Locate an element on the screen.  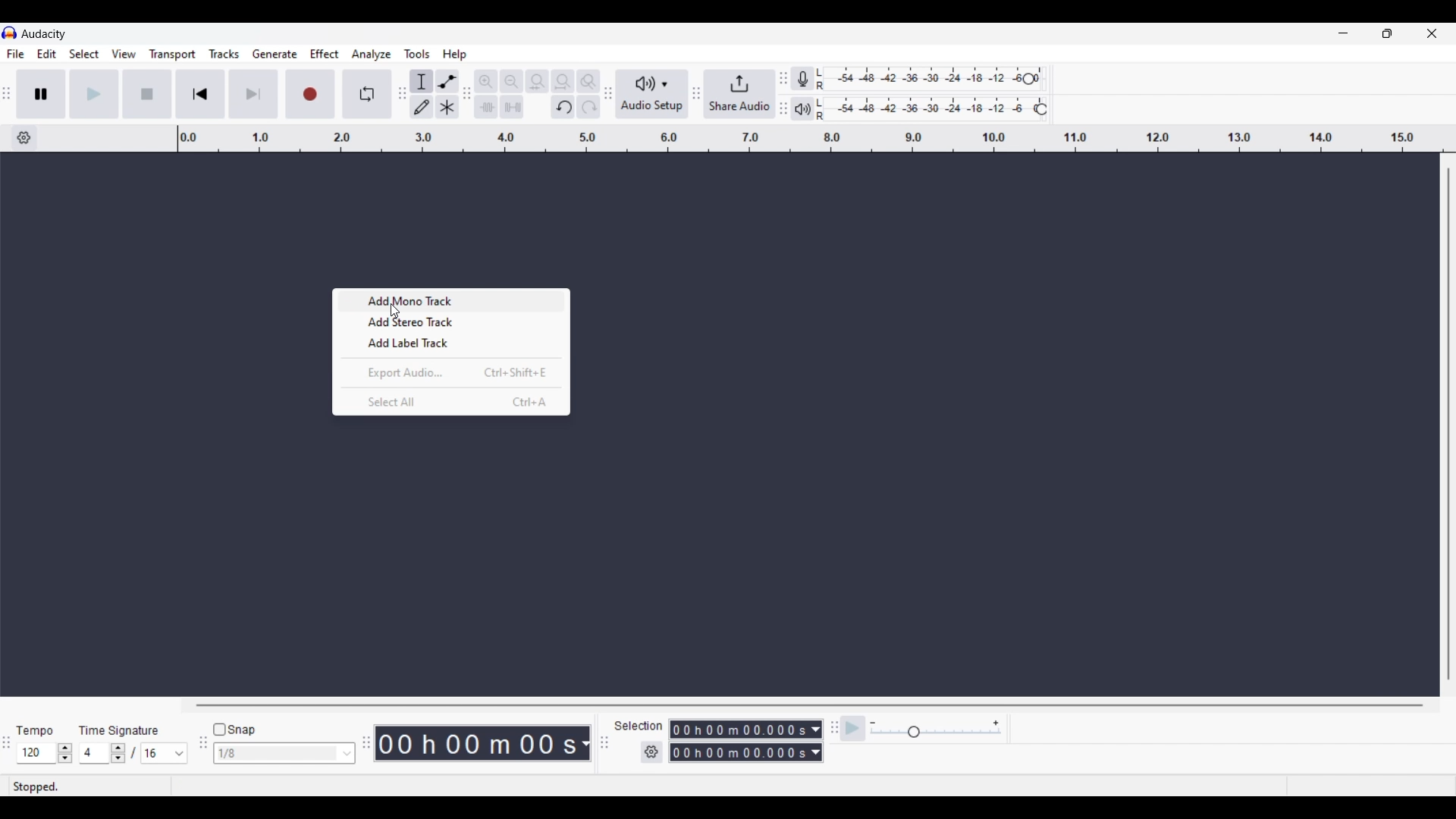
Increase/Decrease tempo is located at coordinates (65, 753).